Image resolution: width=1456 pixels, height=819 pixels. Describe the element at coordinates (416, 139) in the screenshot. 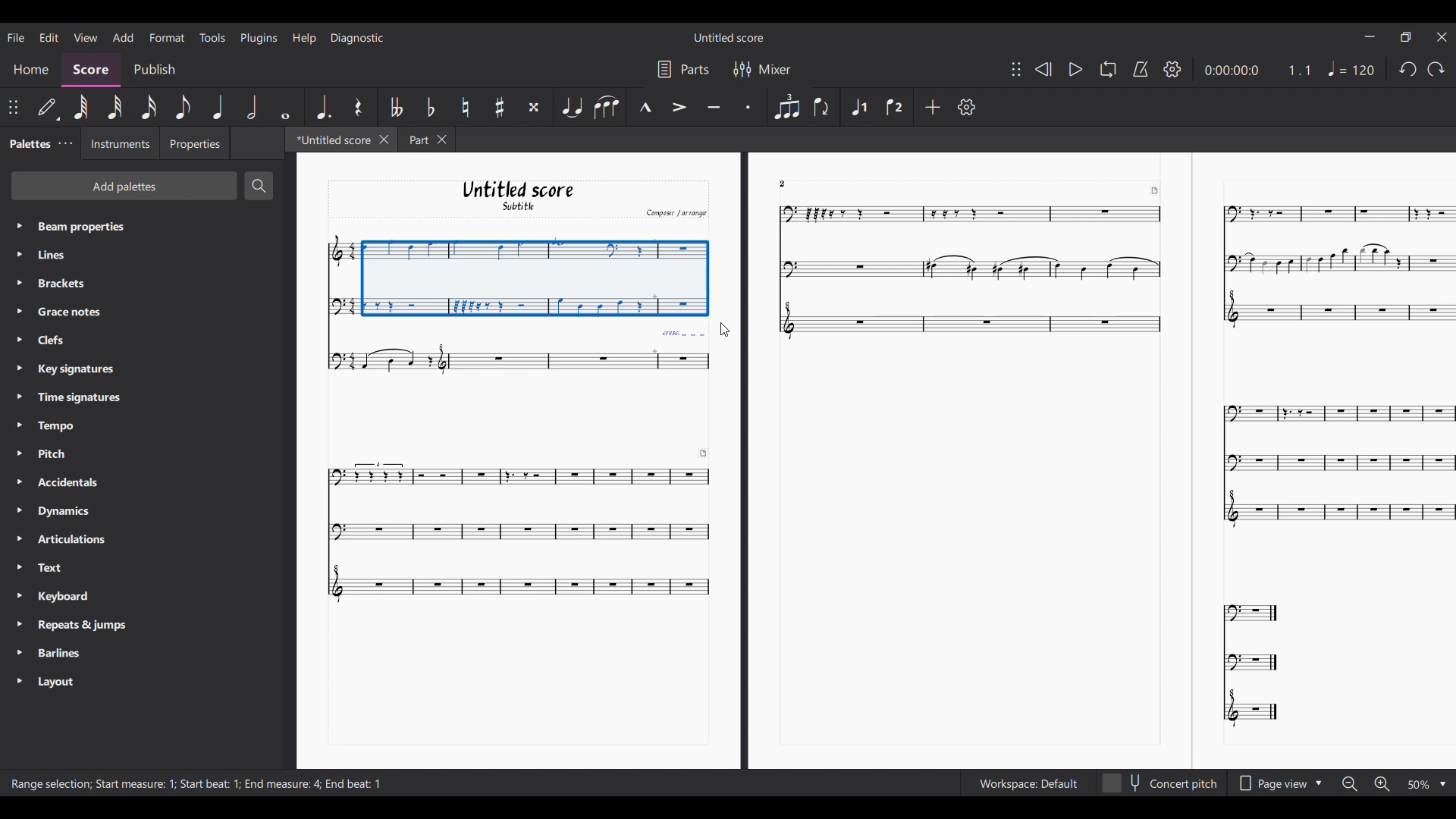

I see `Part` at that location.